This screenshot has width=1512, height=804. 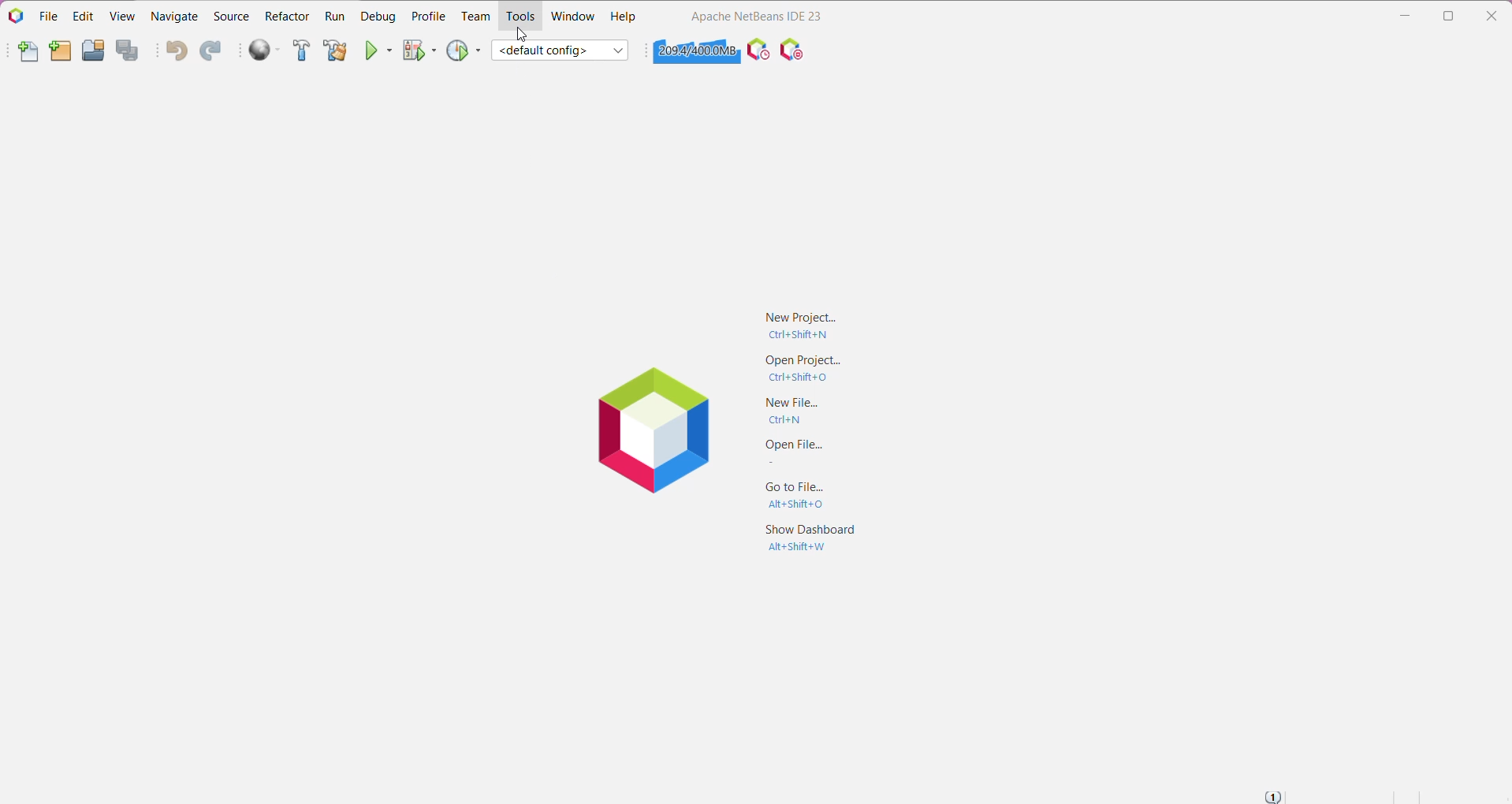 What do you see at coordinates (658, 431) in the screenshot?
I see `Application Logo` at bounding box center [658, 431].